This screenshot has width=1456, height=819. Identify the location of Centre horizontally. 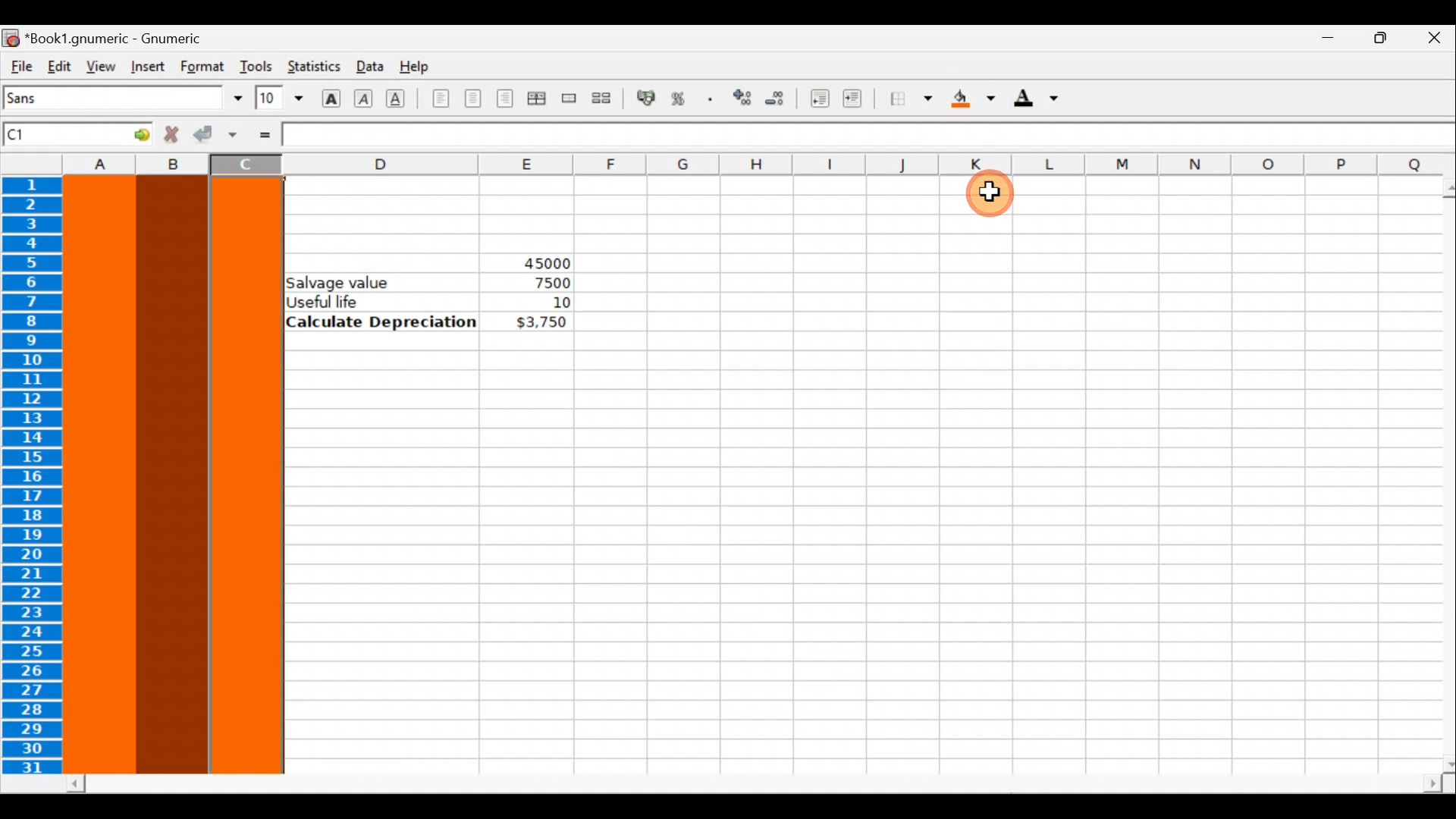
(472, 103).